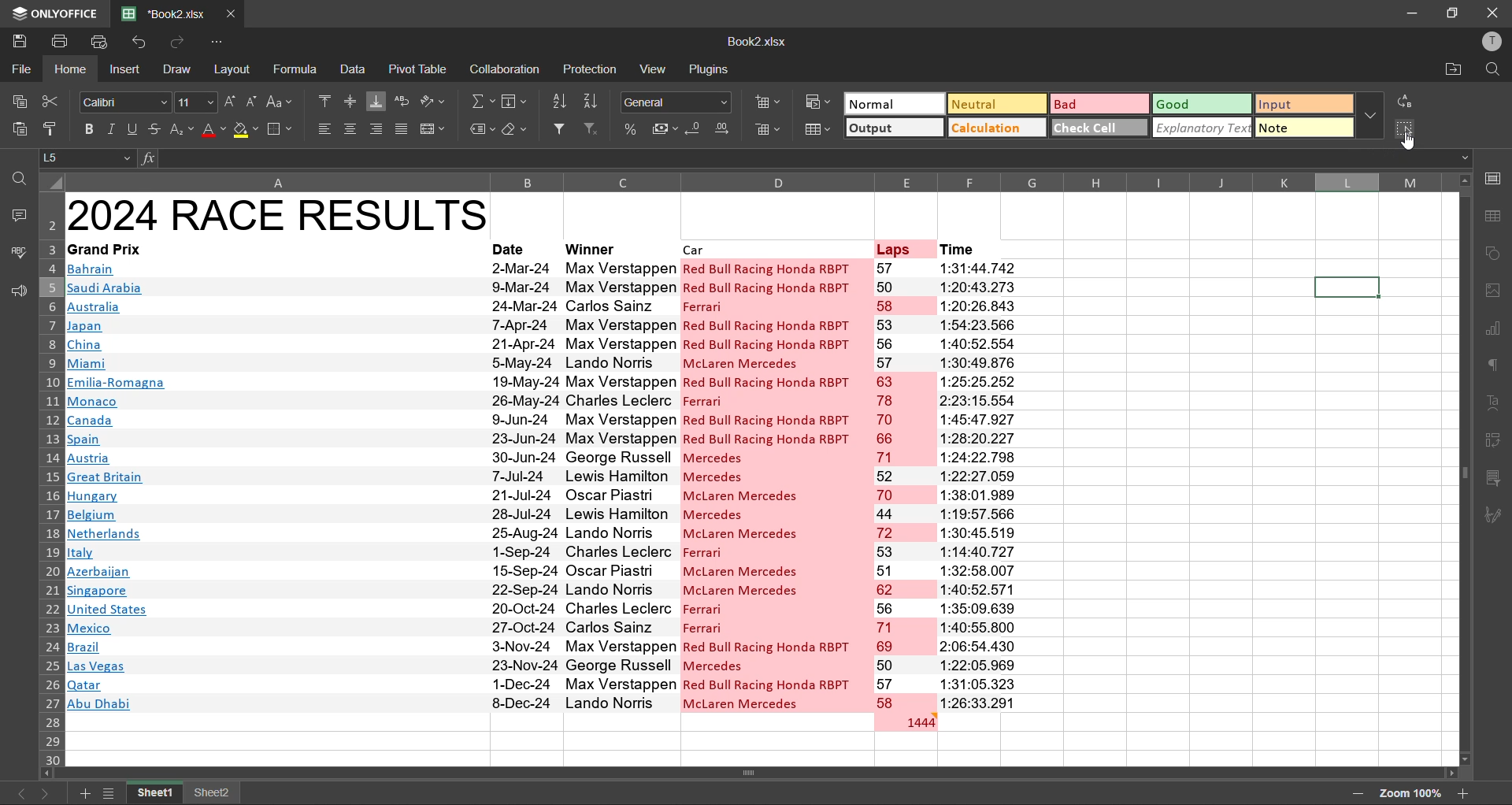  I want to click on accounting, so click(665, 131).